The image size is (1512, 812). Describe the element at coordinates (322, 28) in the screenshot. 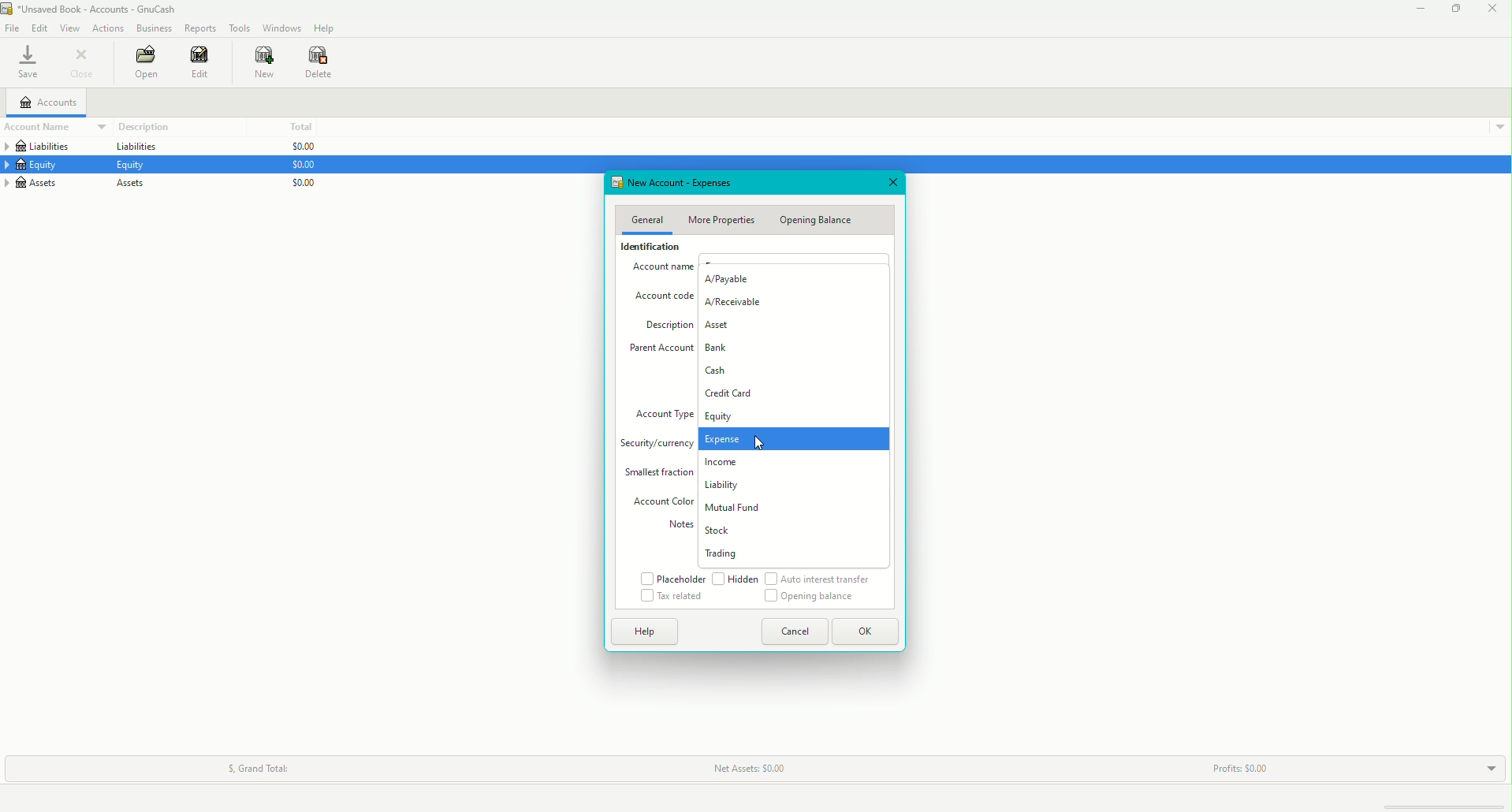

I see `Help` at that location.